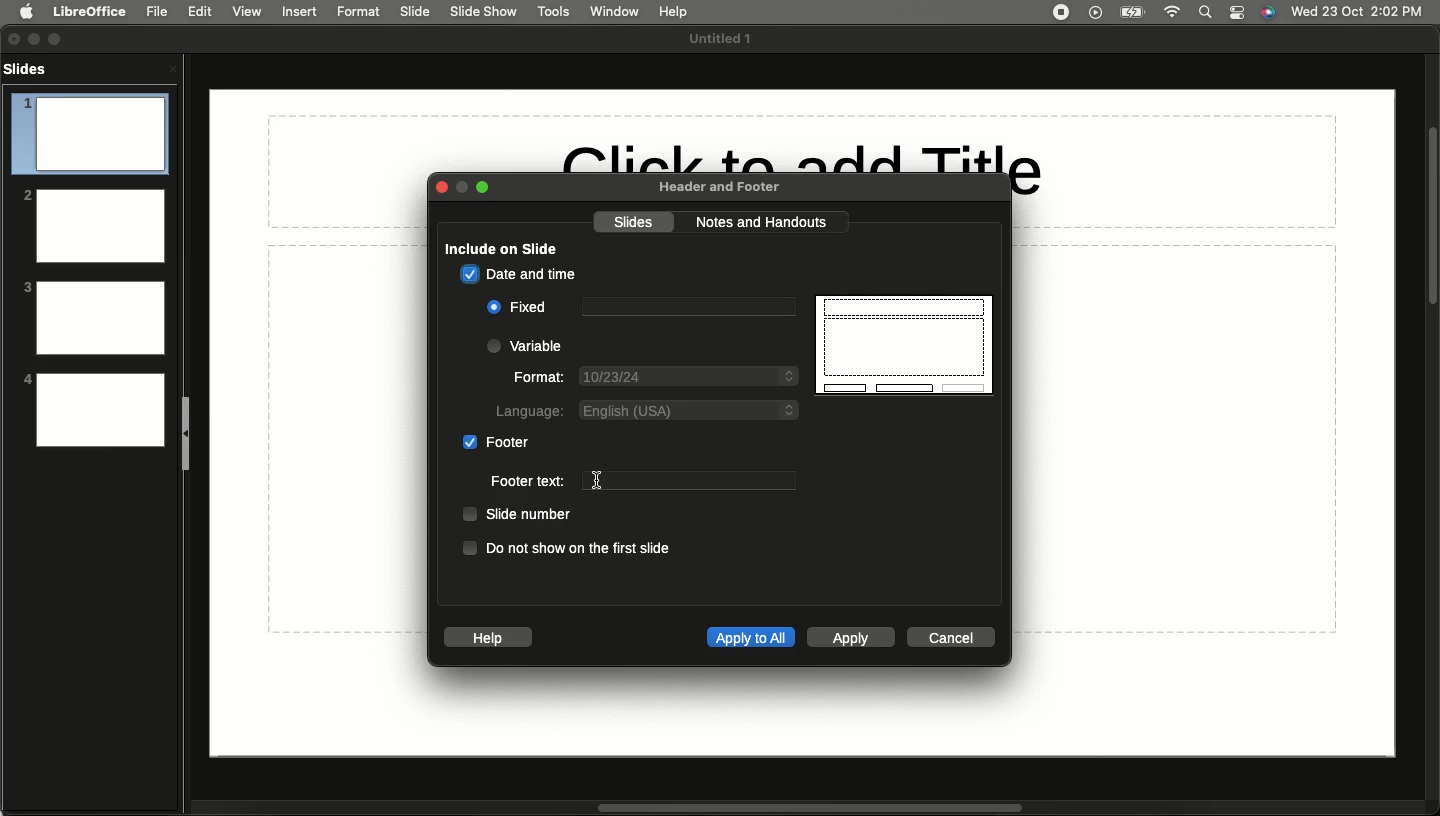  Describe the element at coordinates (59, 37) in the screenshot. I see `Expand` at that location.